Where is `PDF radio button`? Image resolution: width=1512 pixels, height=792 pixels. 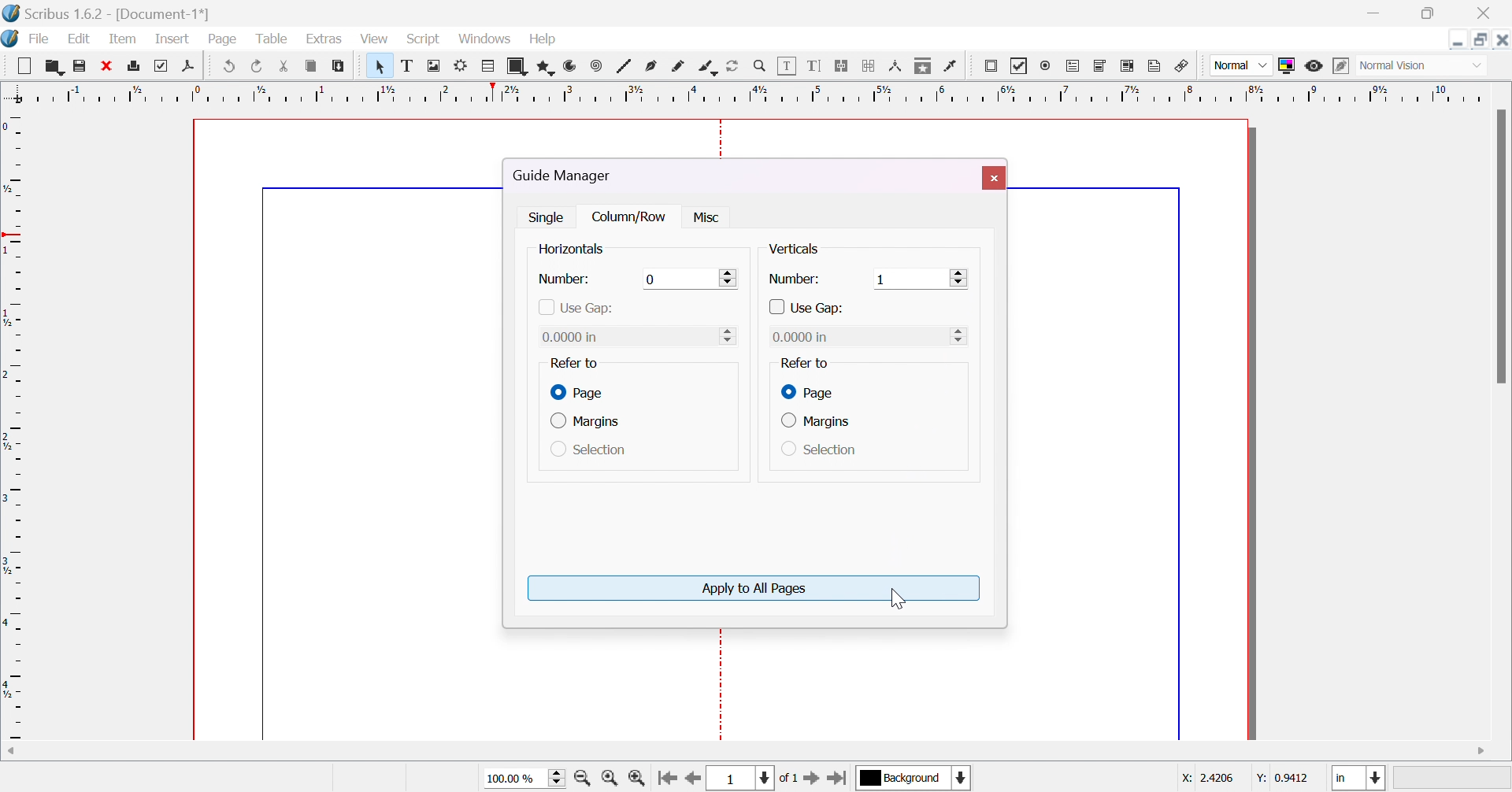 PDF radio button is located at coordinates (1047, 66).